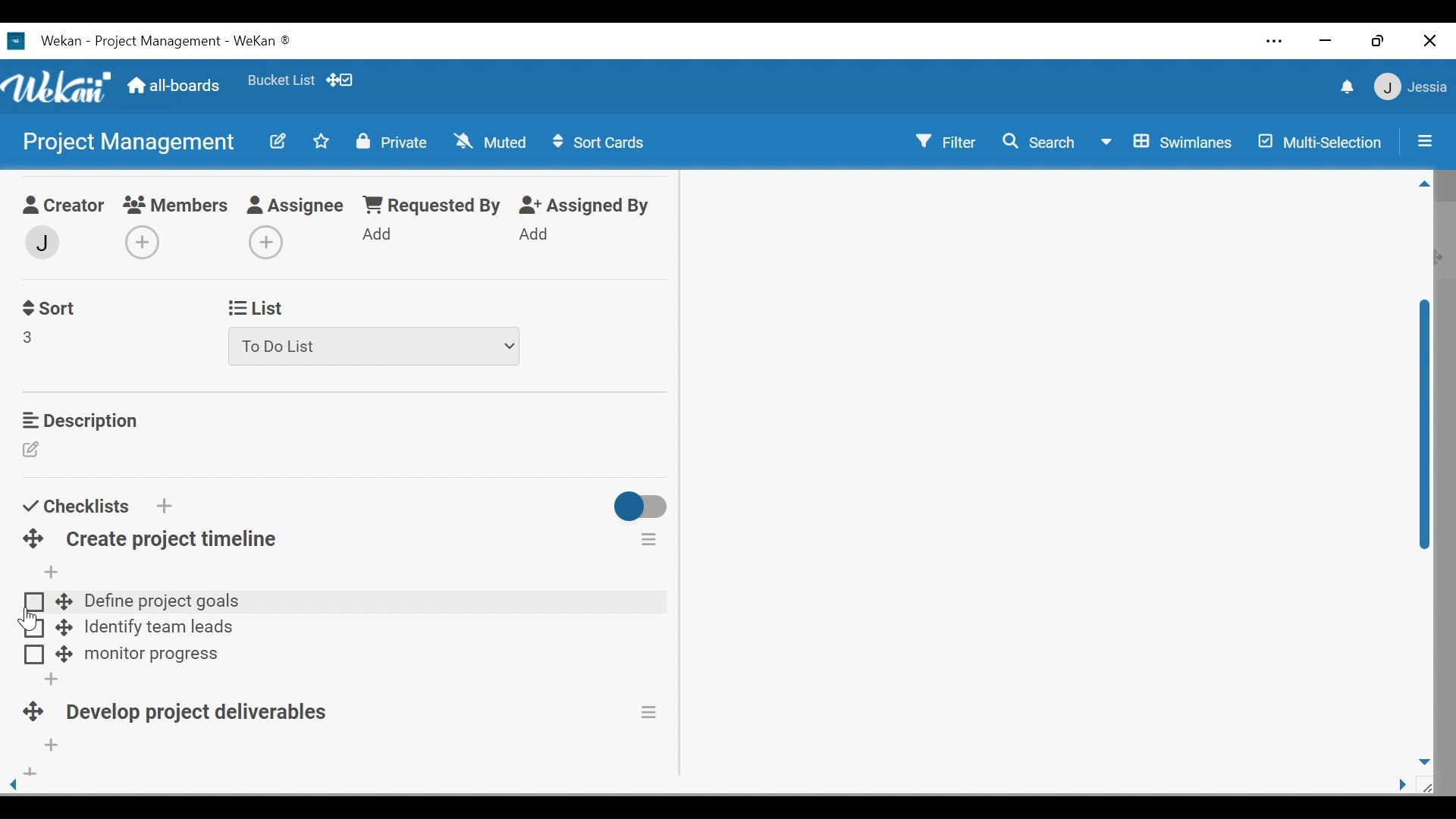  I want to click on checklist item, so click(152, 656).